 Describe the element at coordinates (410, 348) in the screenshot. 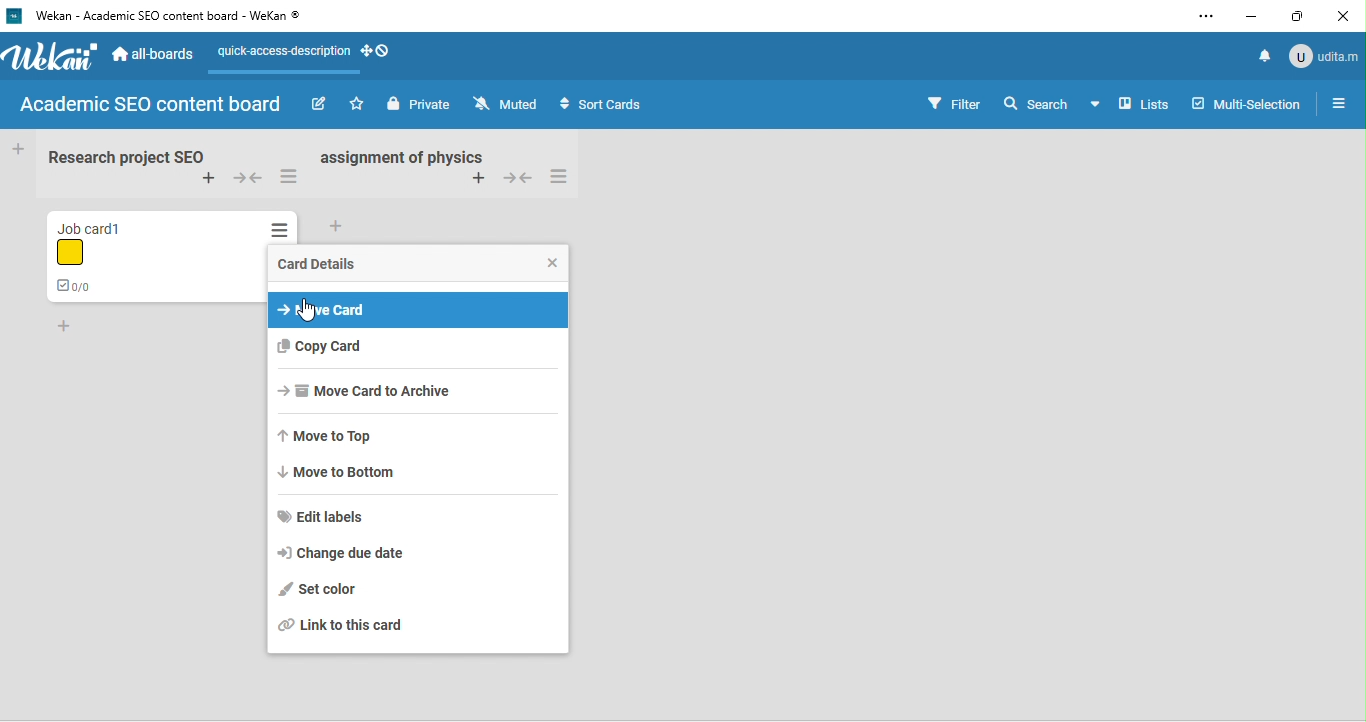

I see `copy card` at that location.